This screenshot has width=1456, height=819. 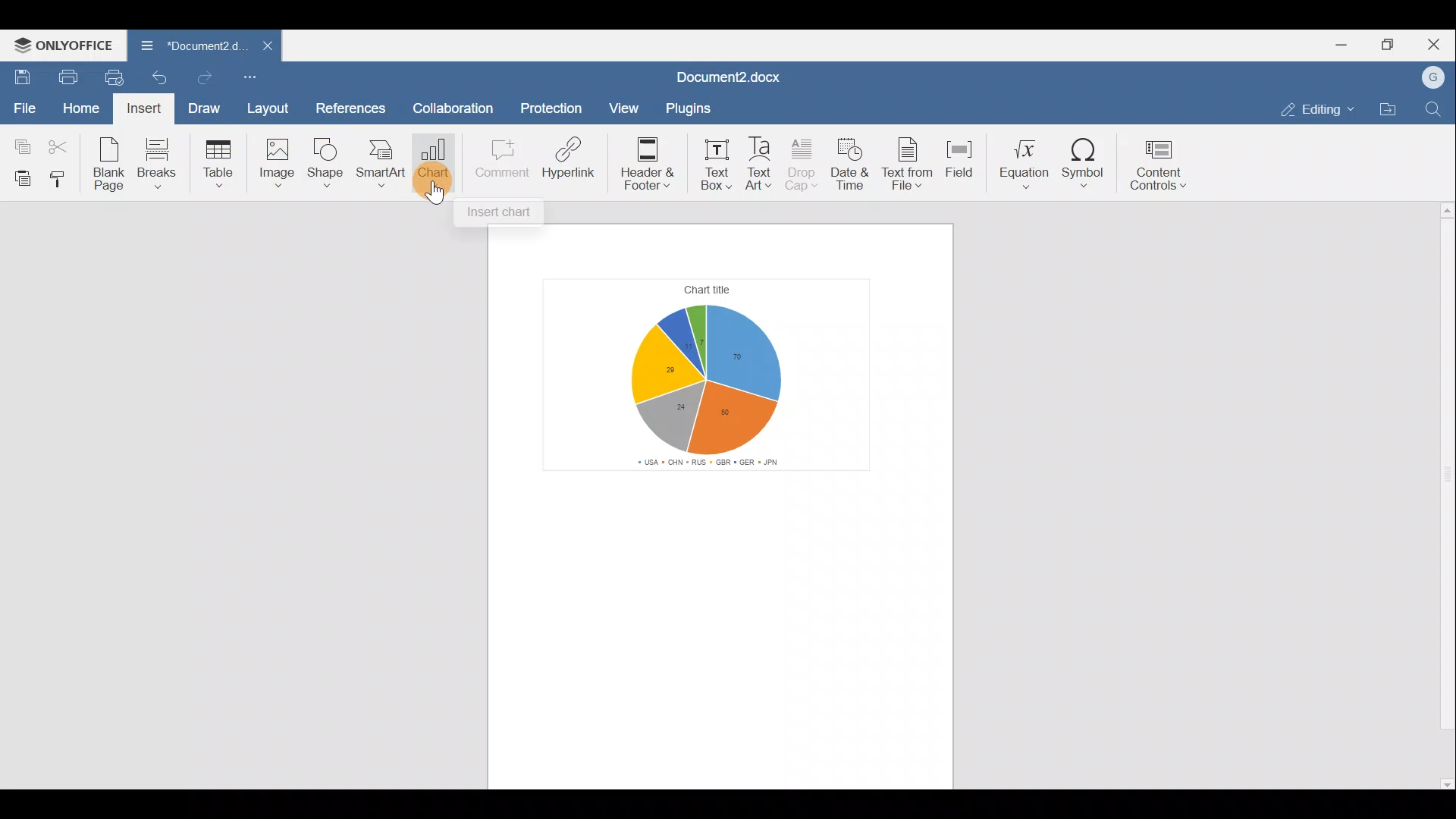 What do you see at coordinates (79, 108) in the screenshot?
I see `Home` at bounding box center [79, 108].